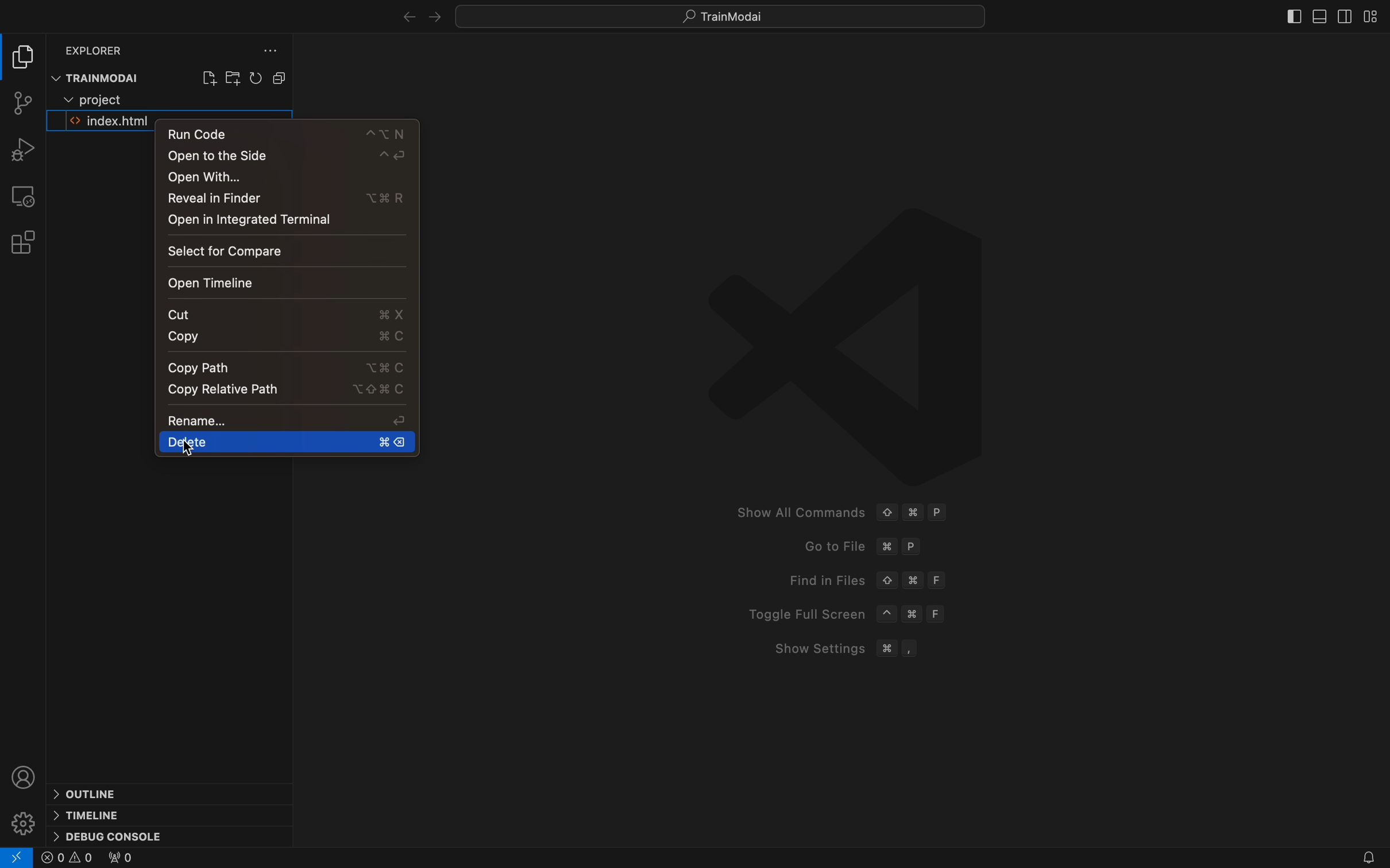 The width and height of the screenshot is (1390, 868). Describe the element at coordinates (290, 157) in the screenshot. I see `open to the side` at that location.